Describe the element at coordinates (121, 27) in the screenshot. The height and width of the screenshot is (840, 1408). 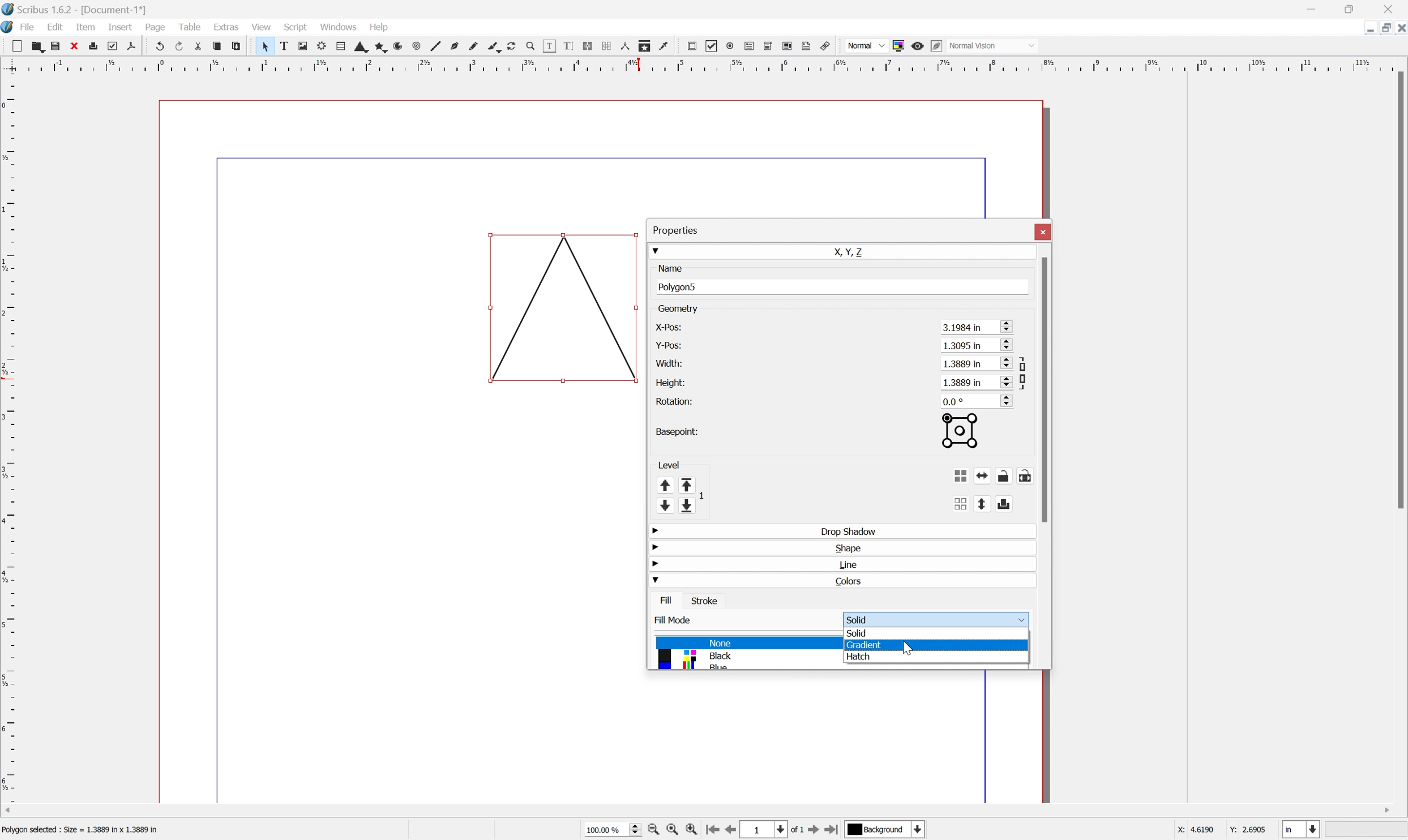
I see `Insert` at that location.